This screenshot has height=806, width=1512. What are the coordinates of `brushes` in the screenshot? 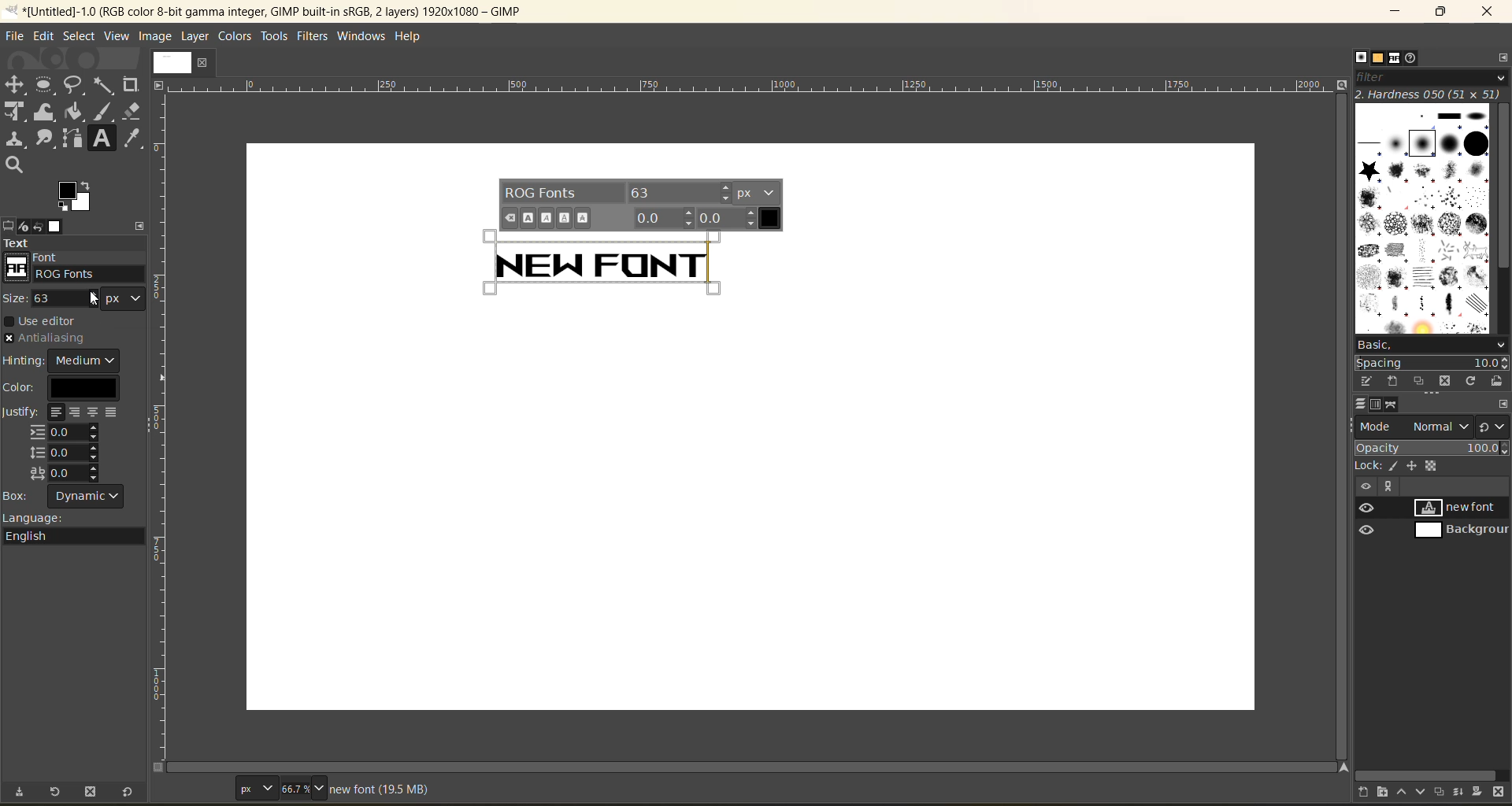 It's located at (1361, 57).